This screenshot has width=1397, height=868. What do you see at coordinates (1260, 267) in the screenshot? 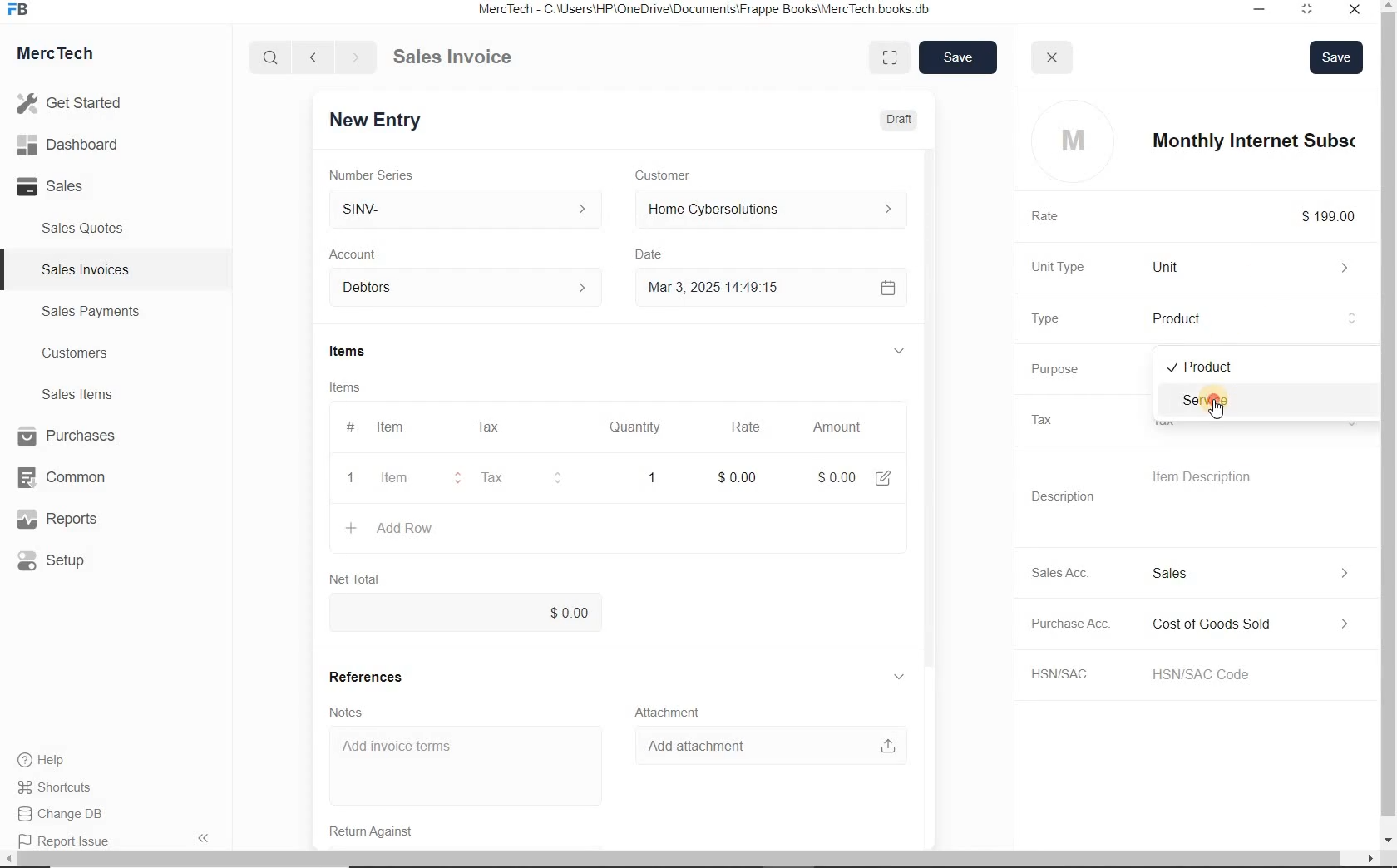
I see `Unit` at bounding box center [1260, 267].